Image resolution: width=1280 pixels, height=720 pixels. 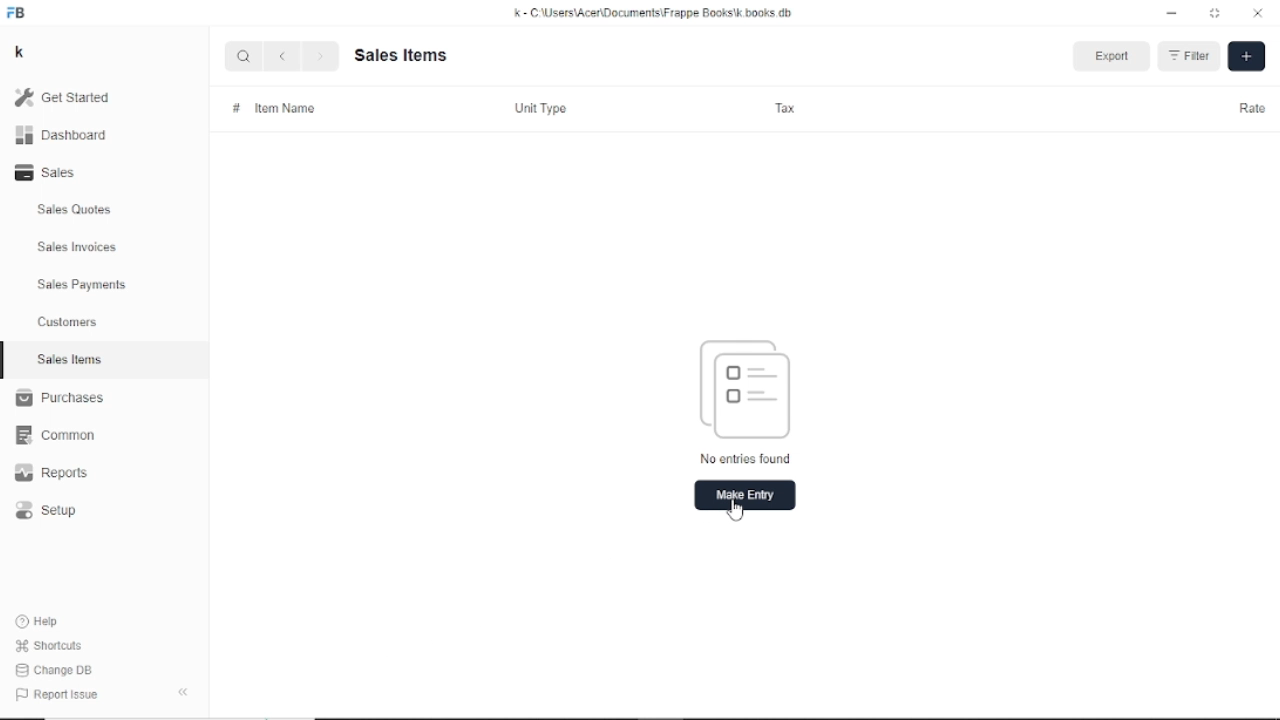 I want to click on Filter, so click(x=1190, y=54).